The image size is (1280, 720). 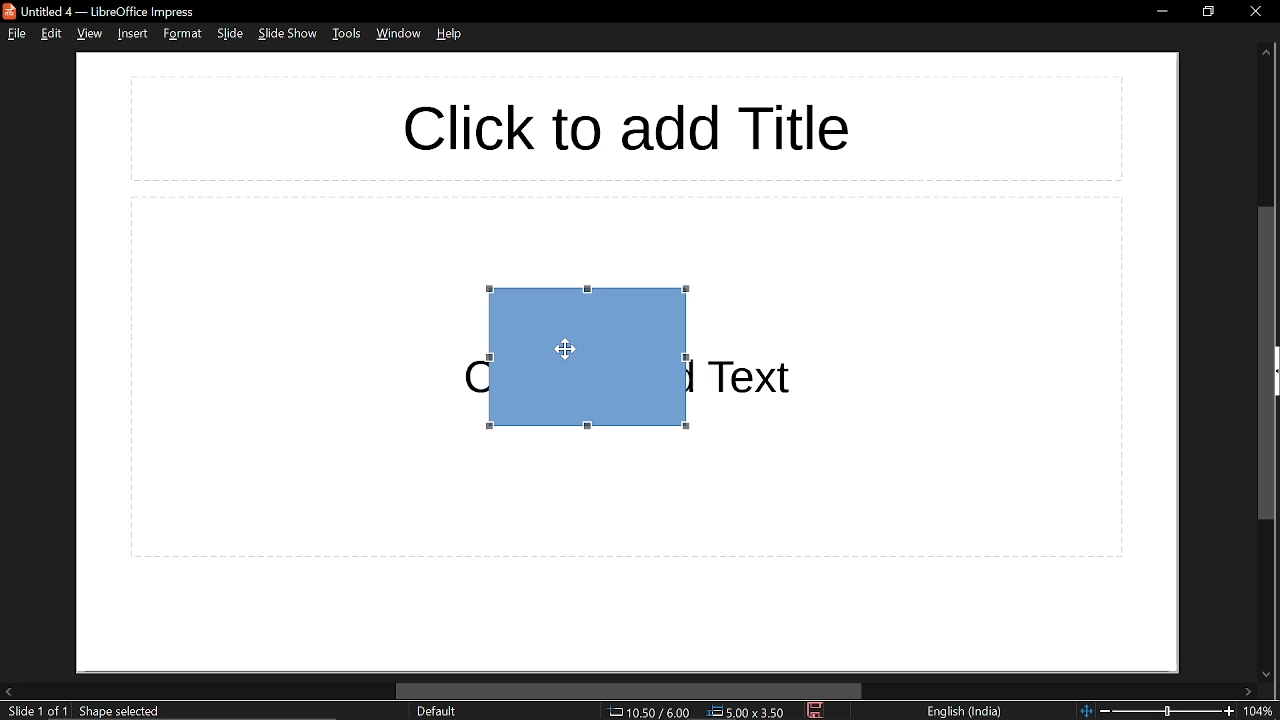 I want to click on close, so click(x=1255, y=10).